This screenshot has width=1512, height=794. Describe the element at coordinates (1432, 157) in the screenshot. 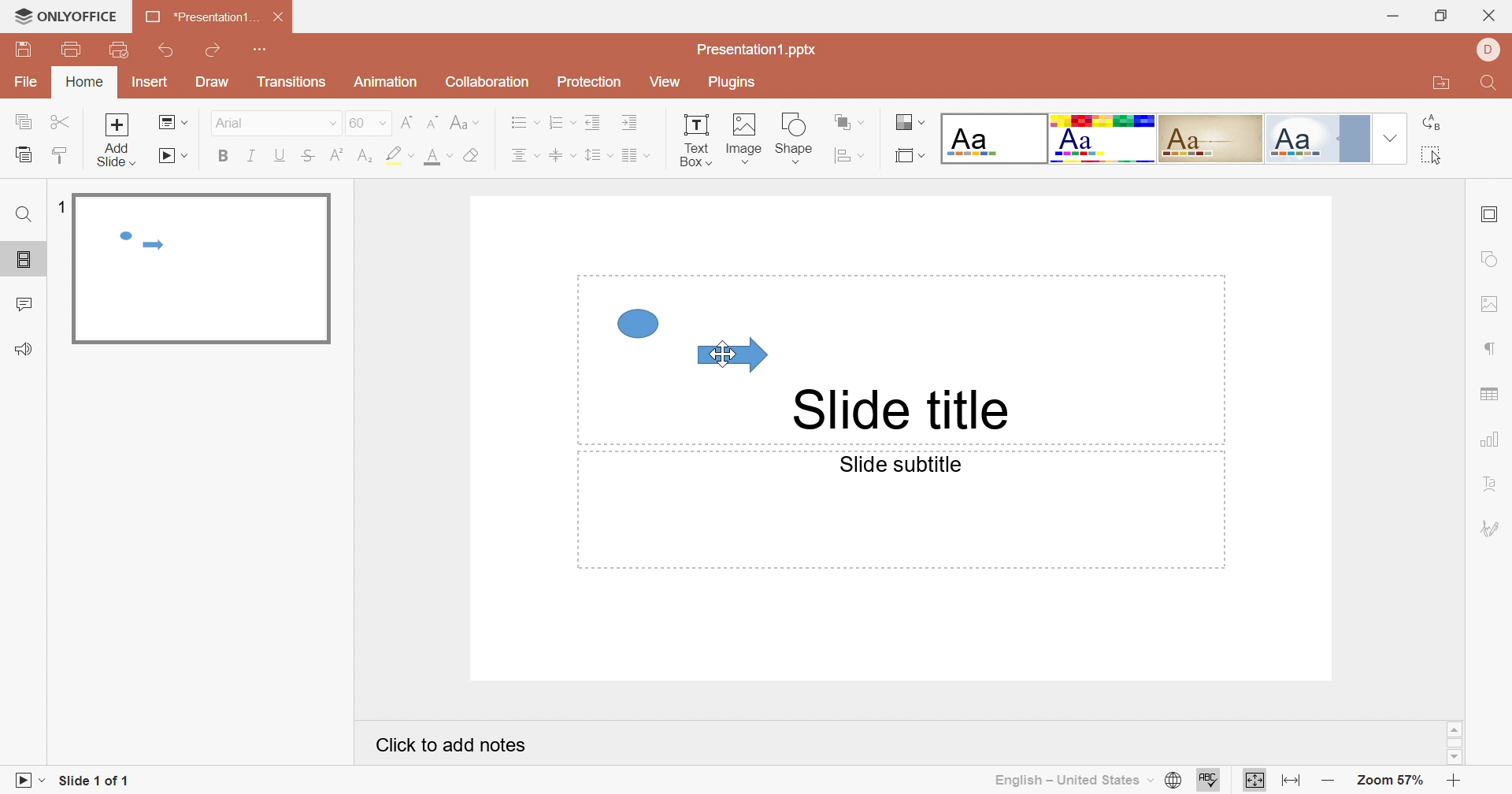

I see `Select all` at that location.